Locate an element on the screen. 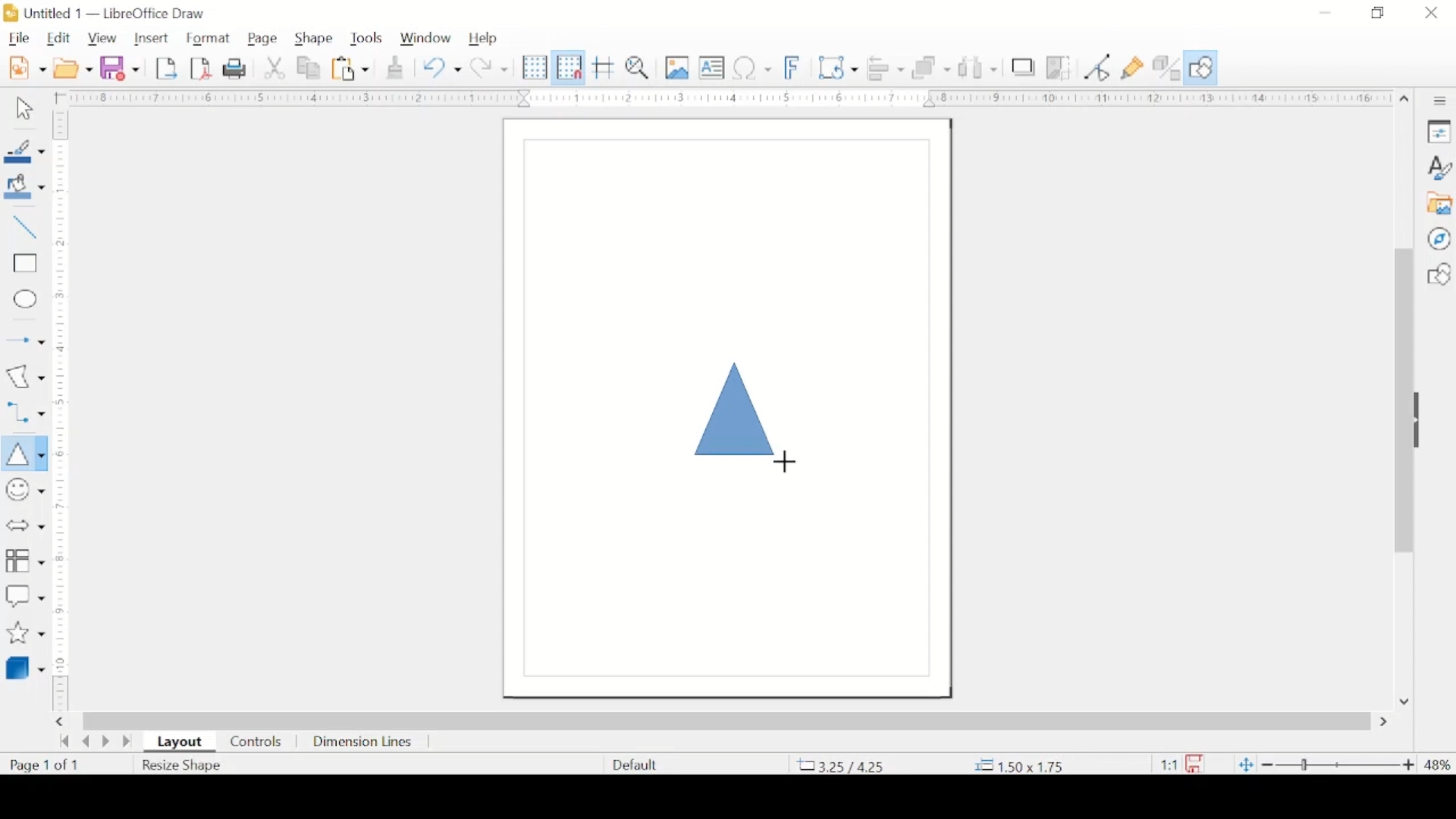 This screenshot has height=819, width=1456. insert special characters is located at coordinates (752, 67).